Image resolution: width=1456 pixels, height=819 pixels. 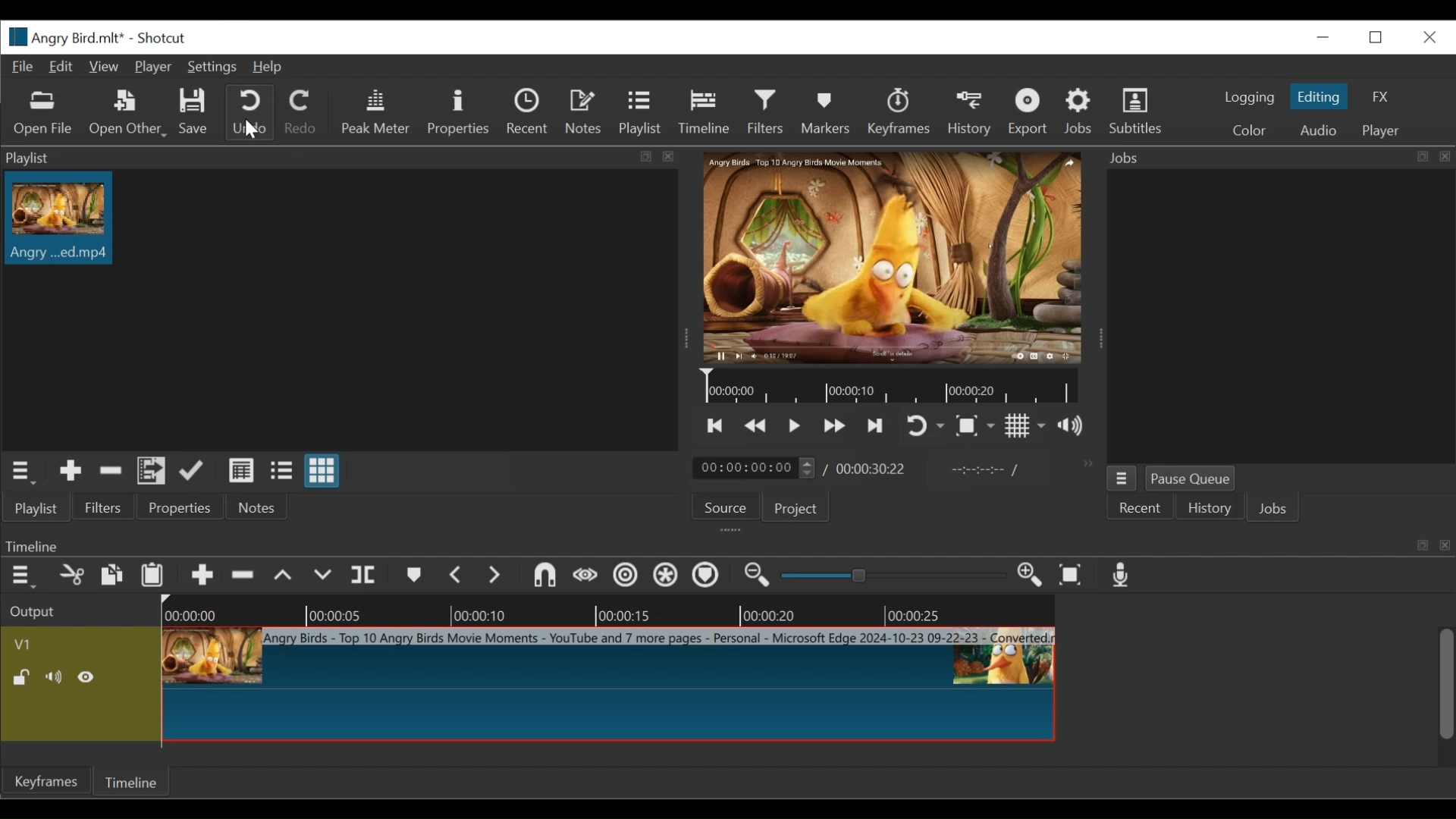 I want to click on Zoom timeline out, so click(x=758, y=577).